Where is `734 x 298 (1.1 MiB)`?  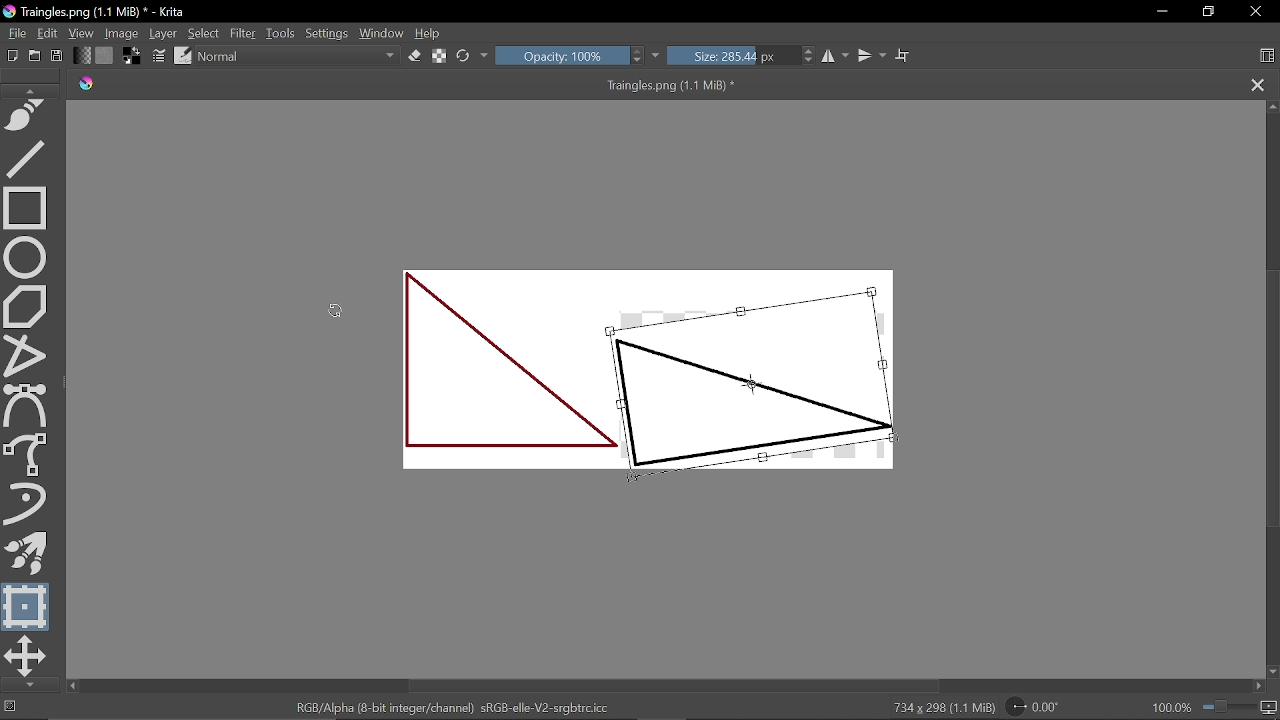
734 x 298 (1.1 MiB) is located at coordinates (938, 708).